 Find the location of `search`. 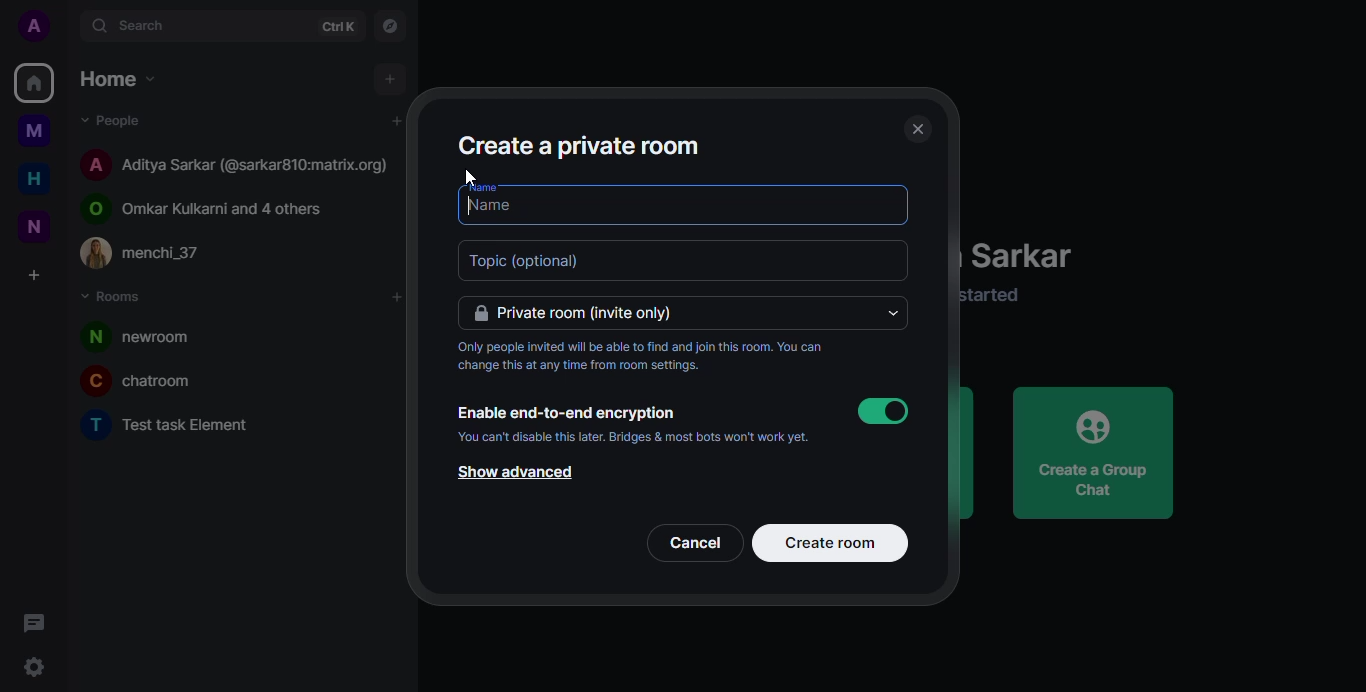

search is located at coordinates (155, 25).